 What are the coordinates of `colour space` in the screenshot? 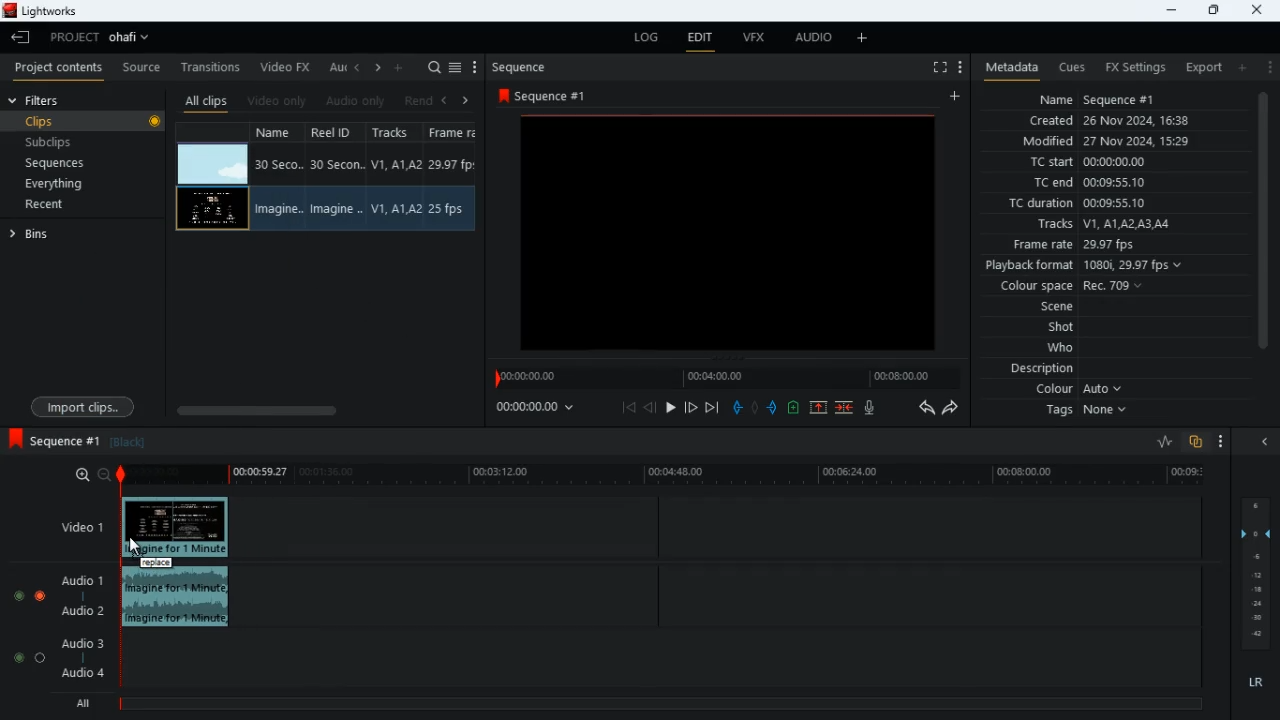 It's located at (1066, 287).